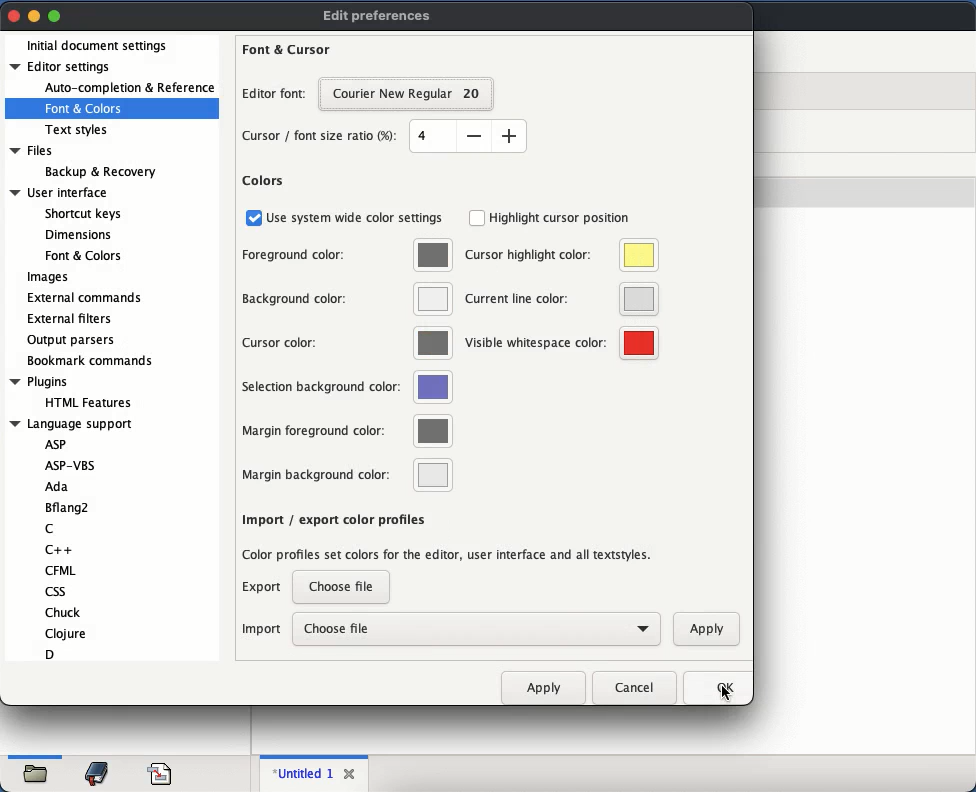 This screenshot has width=976, height=792. What do you see at coordinates (263, 587) in the screenshot?
I see `export` at bounding box center [263, 587].